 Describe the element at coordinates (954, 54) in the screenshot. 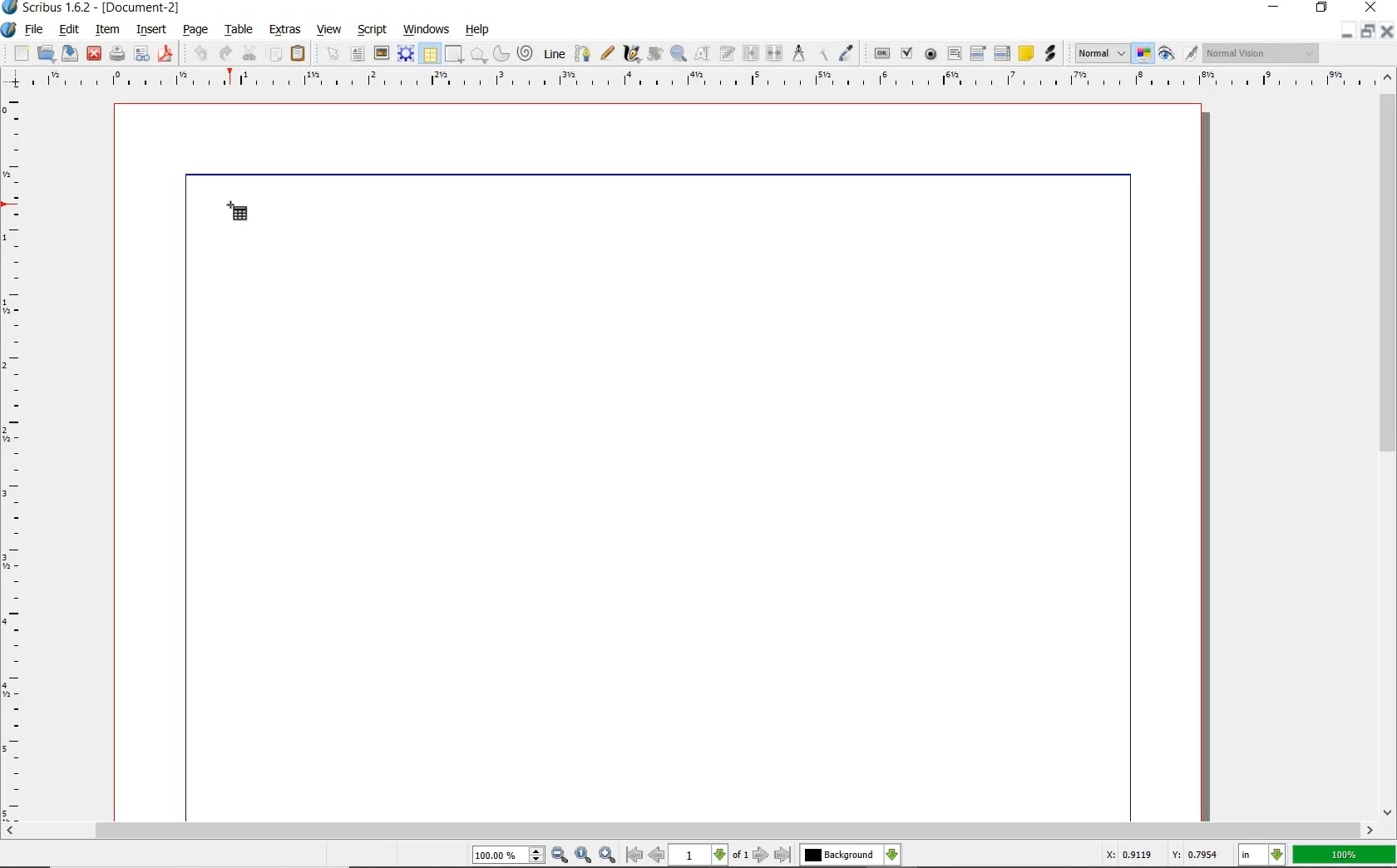

I see `pdf text field` at that location.